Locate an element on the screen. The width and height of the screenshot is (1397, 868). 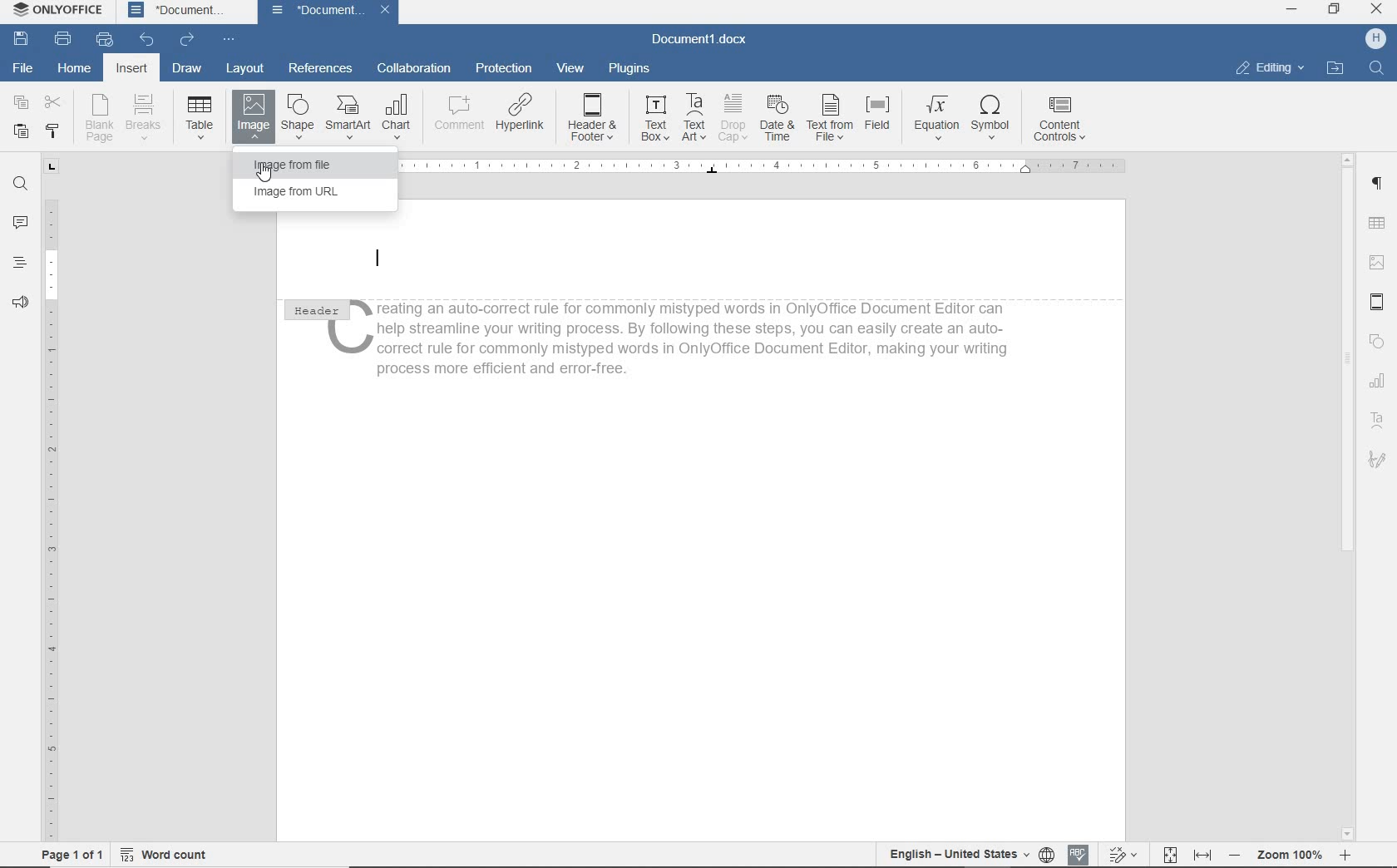
Zoom is located at coordinates (1287, 856).